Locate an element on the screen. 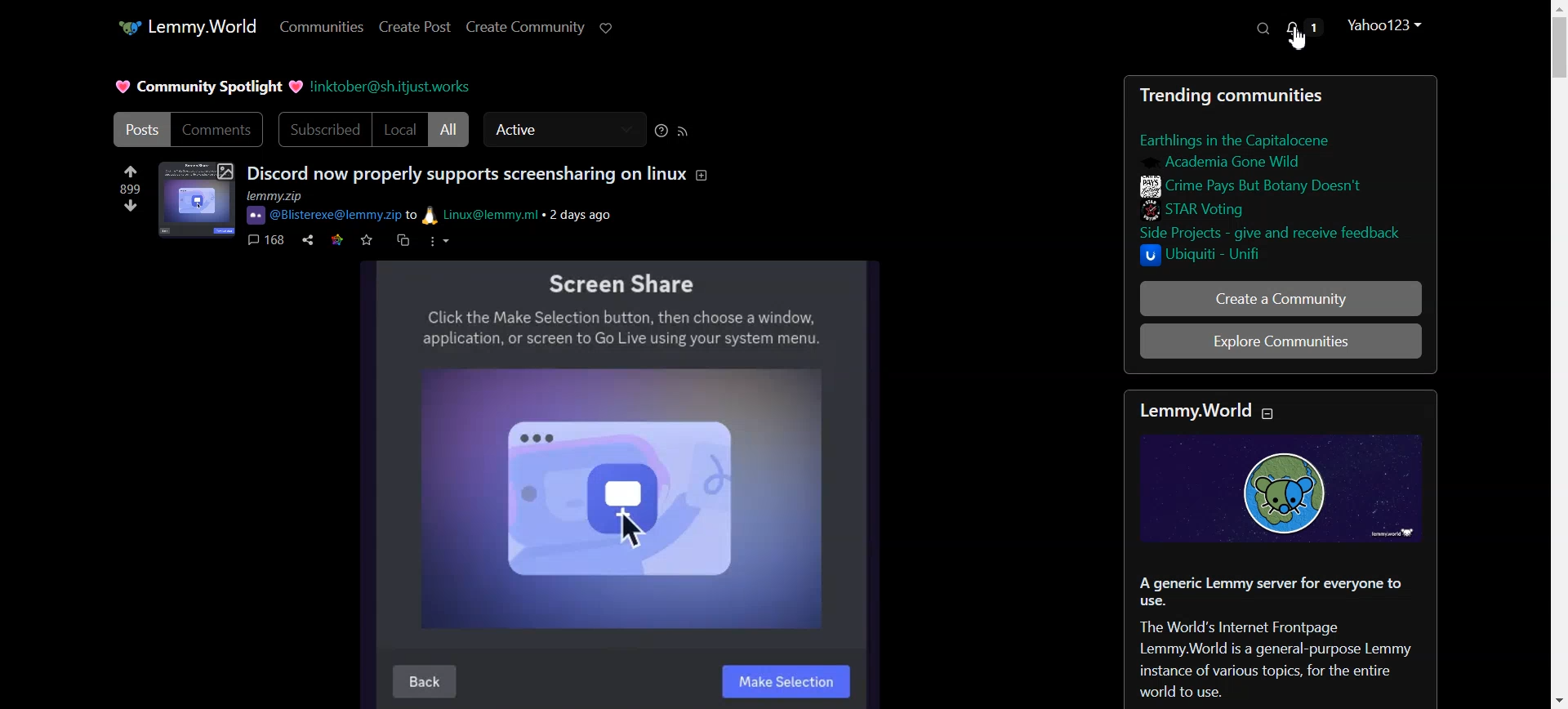  Search is located at coordinates (1263, 29).